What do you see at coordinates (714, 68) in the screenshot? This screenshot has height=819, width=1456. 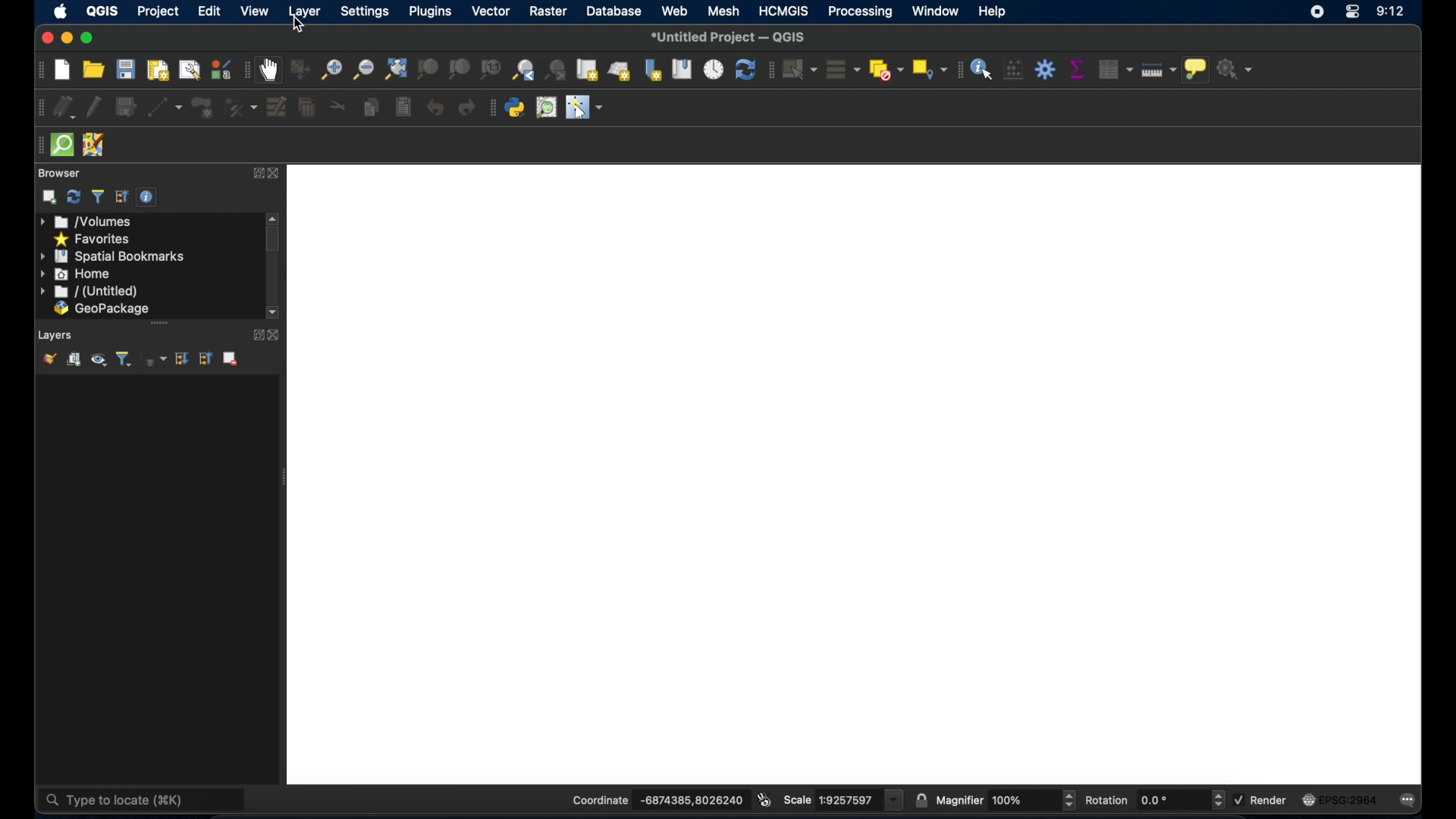 I see `temporal controller panel` at bounding box center [714, 68].